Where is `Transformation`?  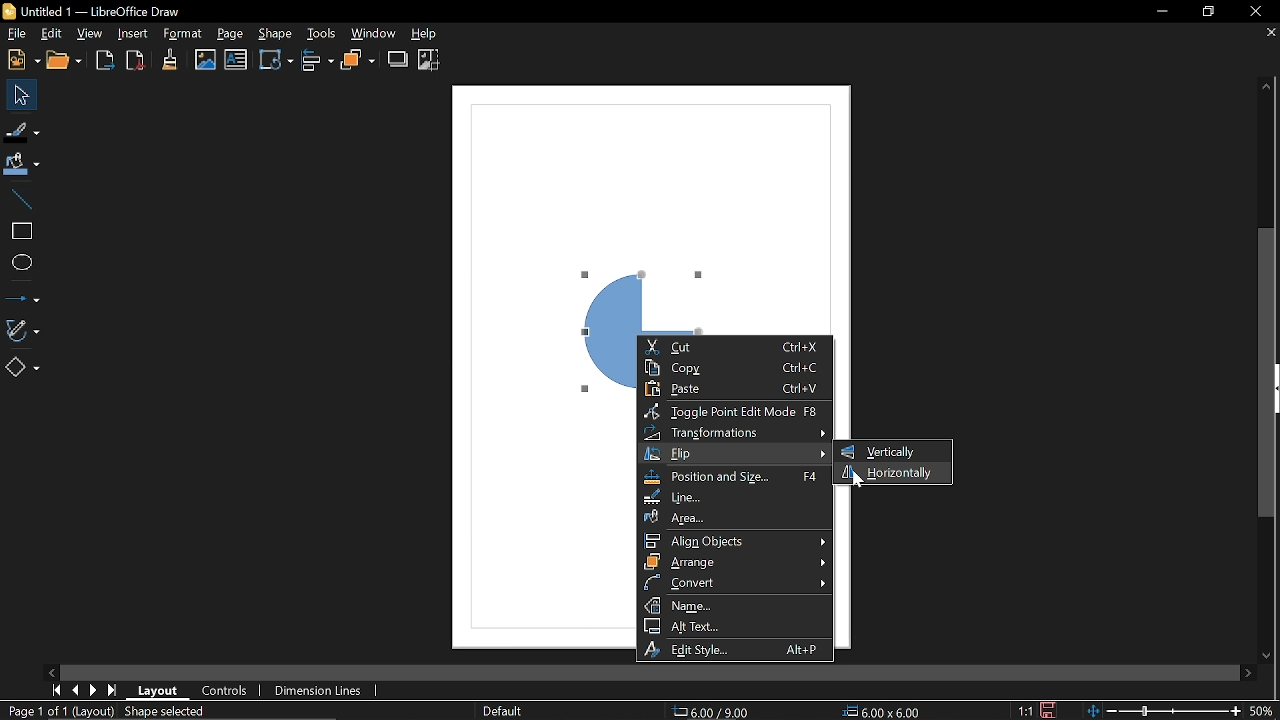 Transformation is located at coordinates (275, 60).